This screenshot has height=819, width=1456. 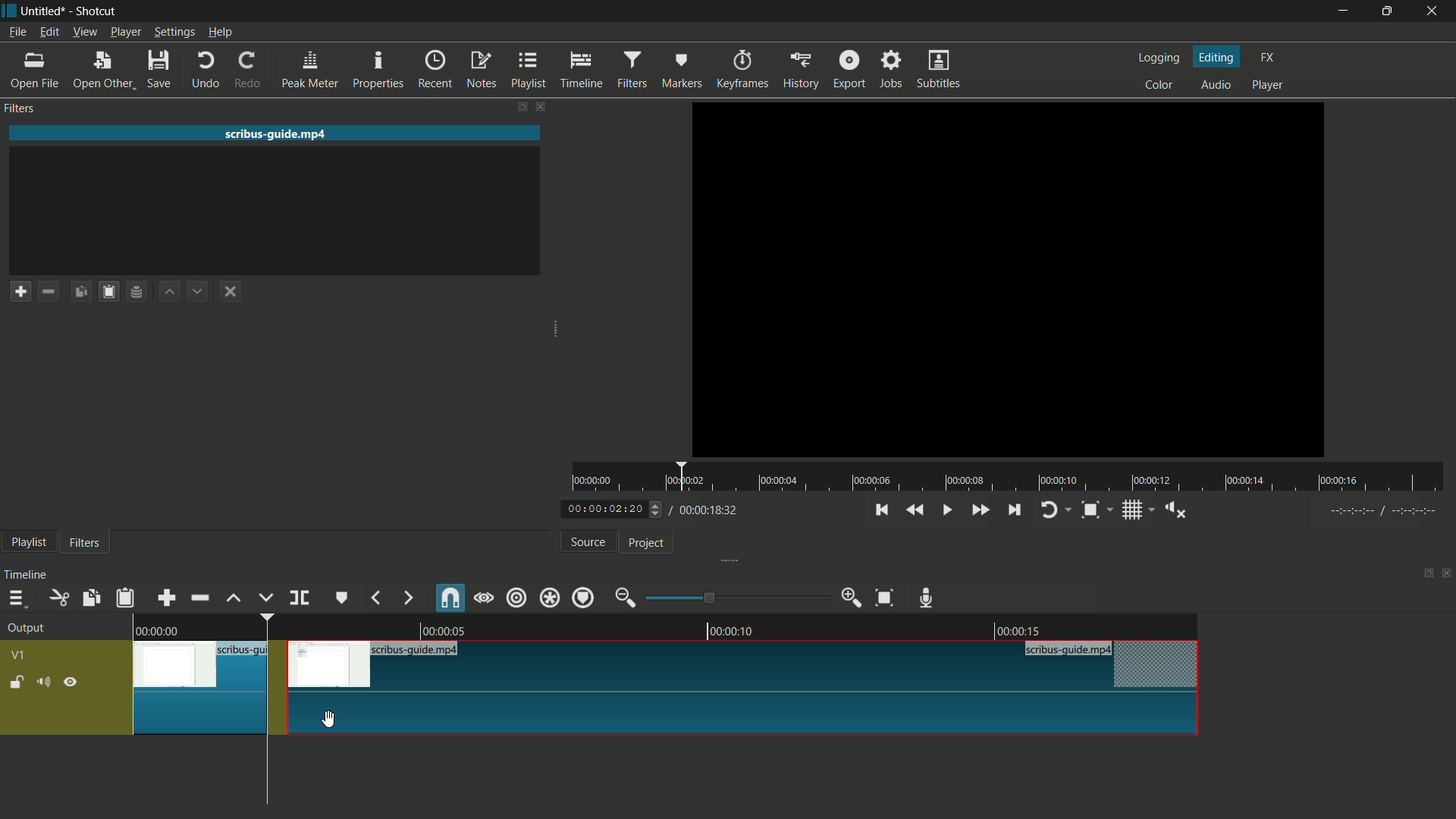 What do you see at coordinates (745, 71) in the screenshot?
I see `keyframes` at bounding box center [745, 71].